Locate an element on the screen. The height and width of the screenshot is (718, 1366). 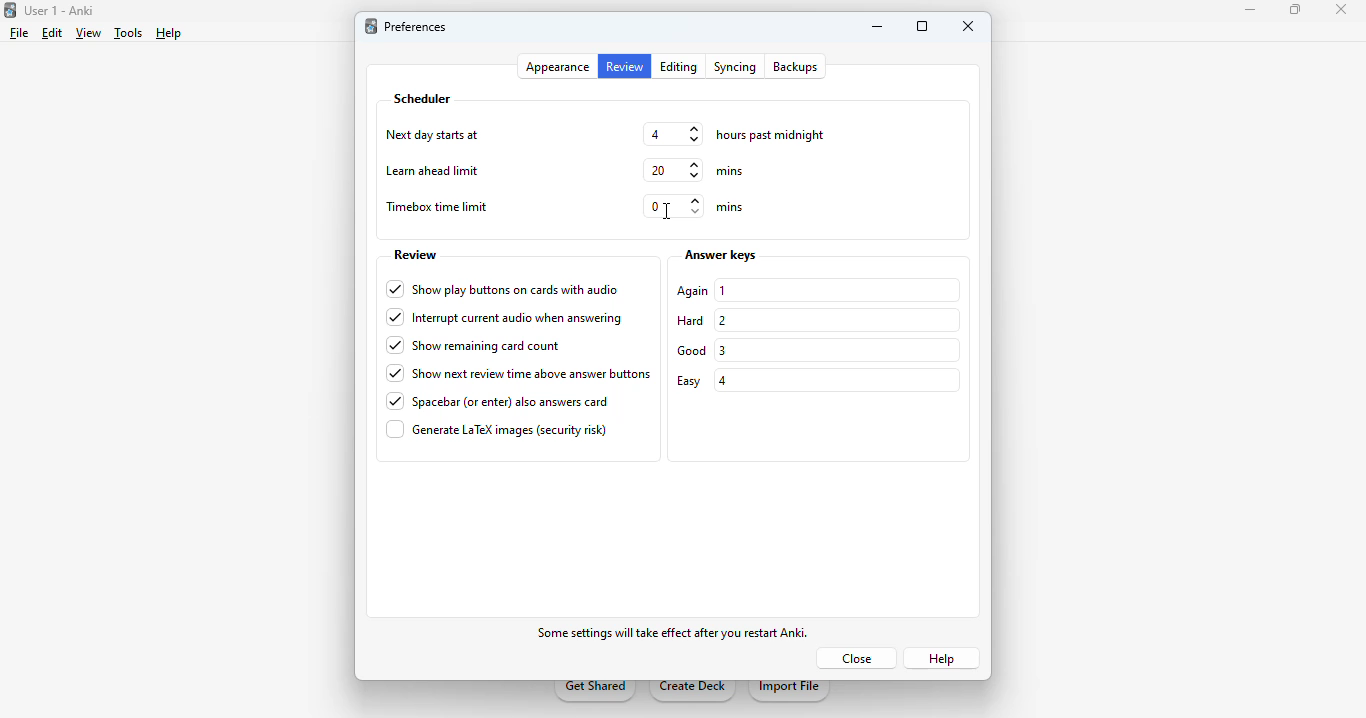
again is located at coordinates (693, 291).